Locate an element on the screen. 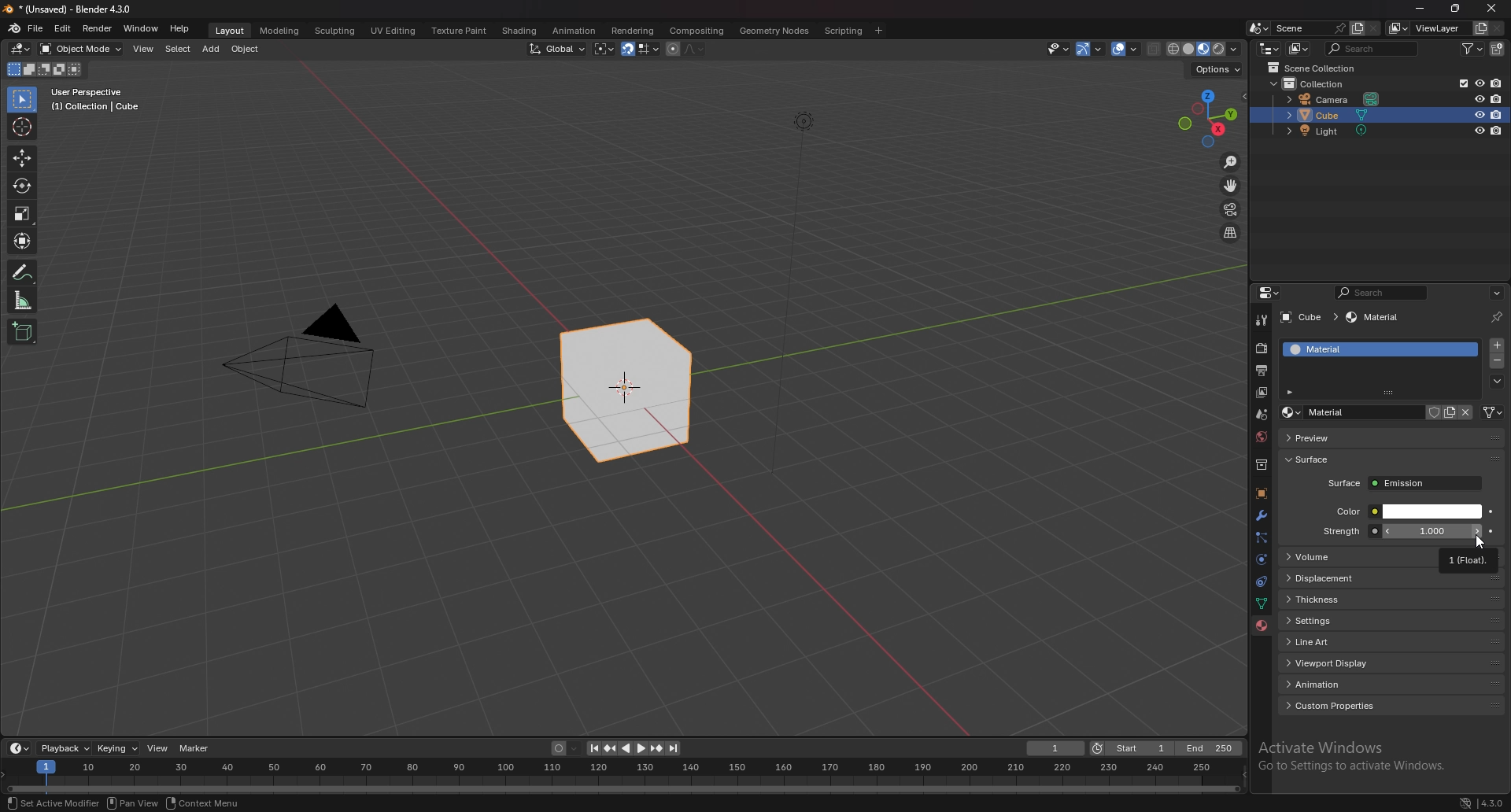 The height and width of the screenshot is (812, 1511). help is located at coordinates (180, 28).